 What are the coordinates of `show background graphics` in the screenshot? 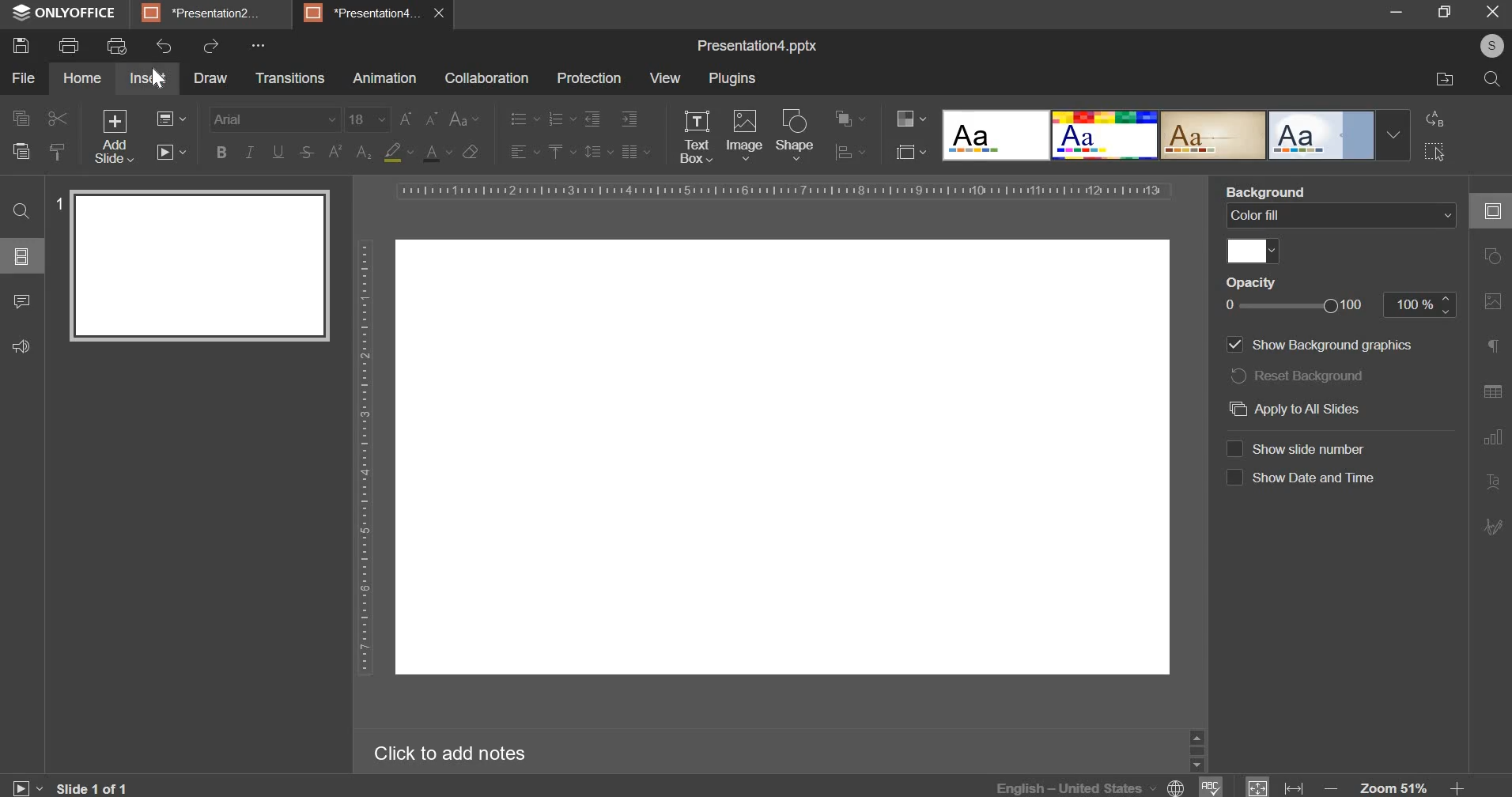 It's located at (1324, 345).